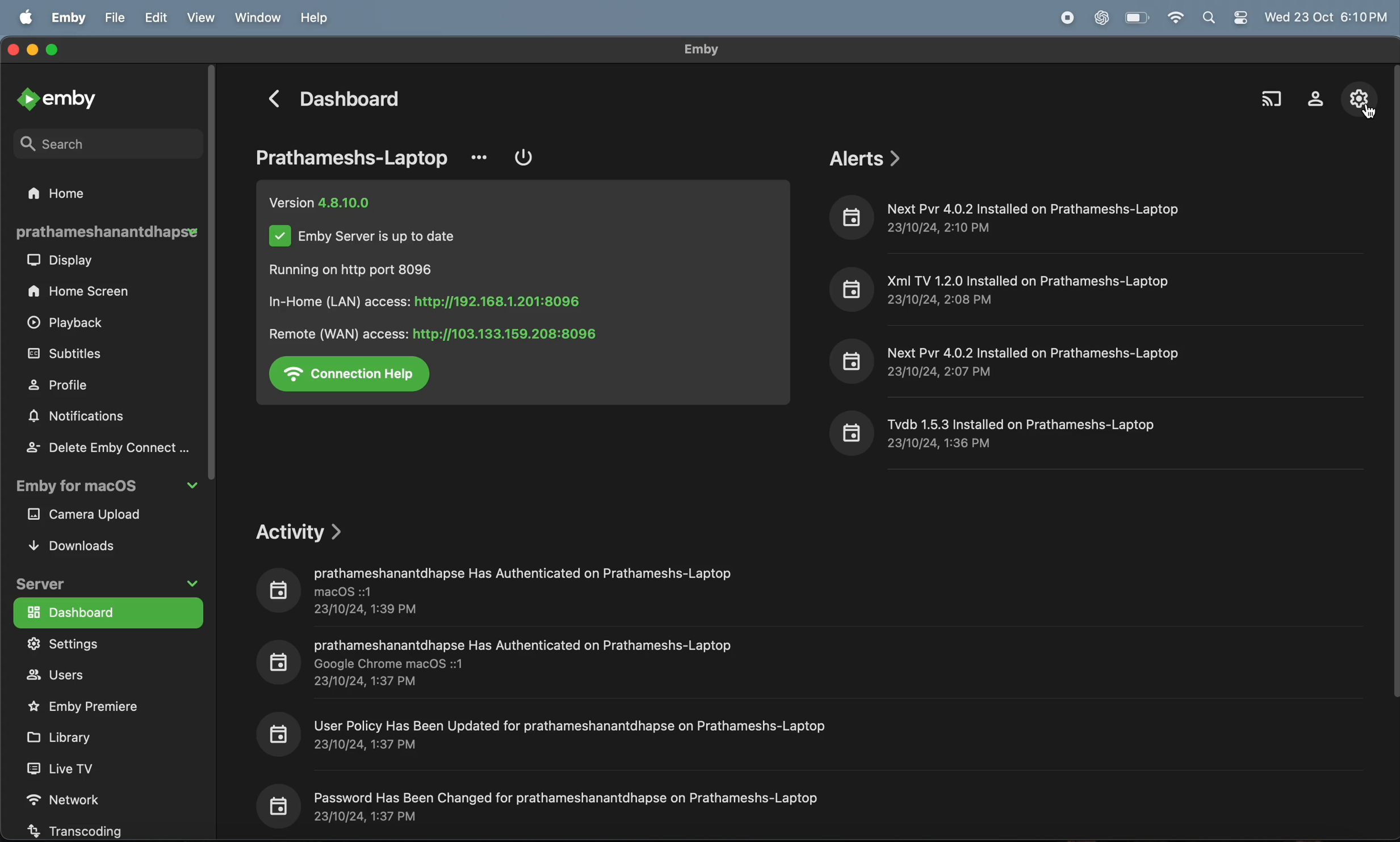 The image size is (1400, 842). What do you see at coordinates (76, 323) in the screenshot?
I see `playback` at bounding box center [76, 323].